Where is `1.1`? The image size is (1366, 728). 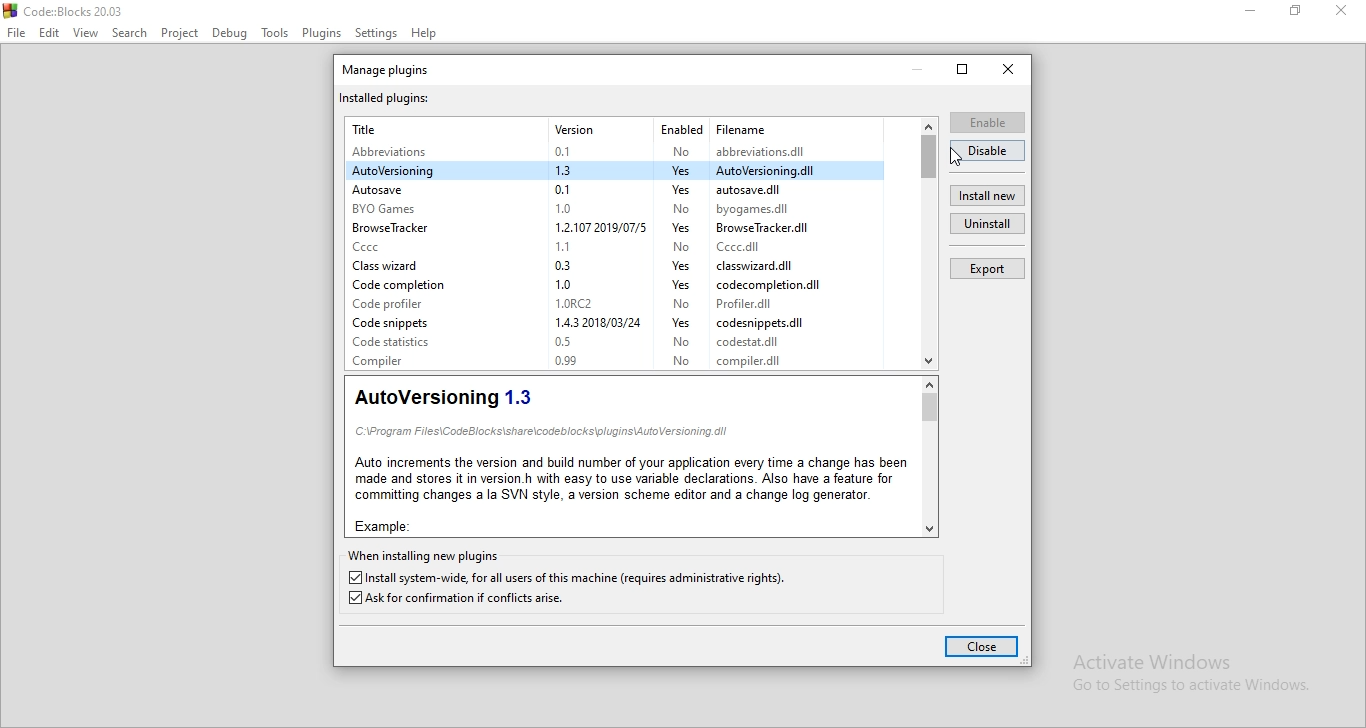 1.1 is located at coordinates (569, 244).